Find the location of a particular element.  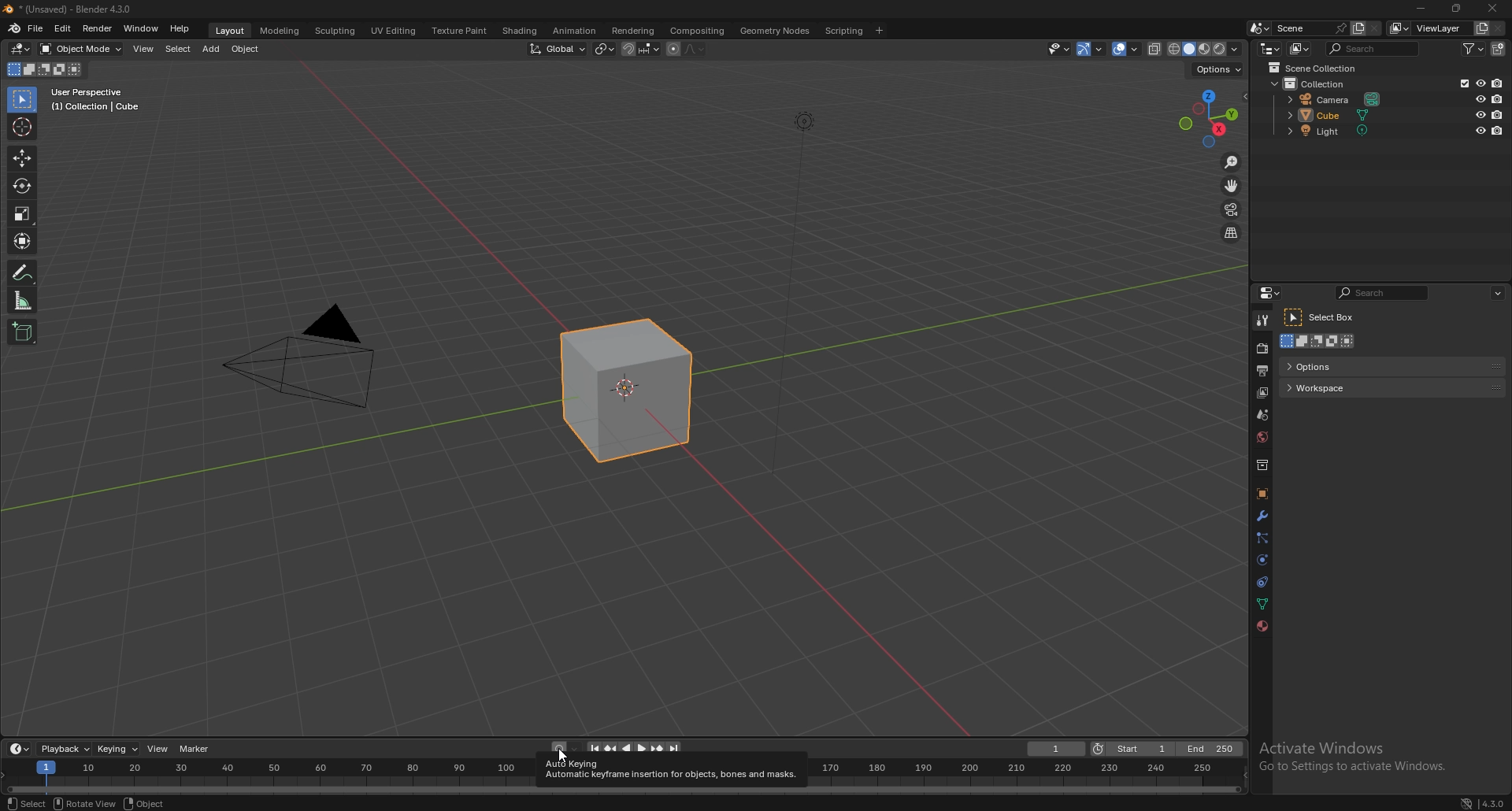

add scene is located at coordinates (1358, 28).